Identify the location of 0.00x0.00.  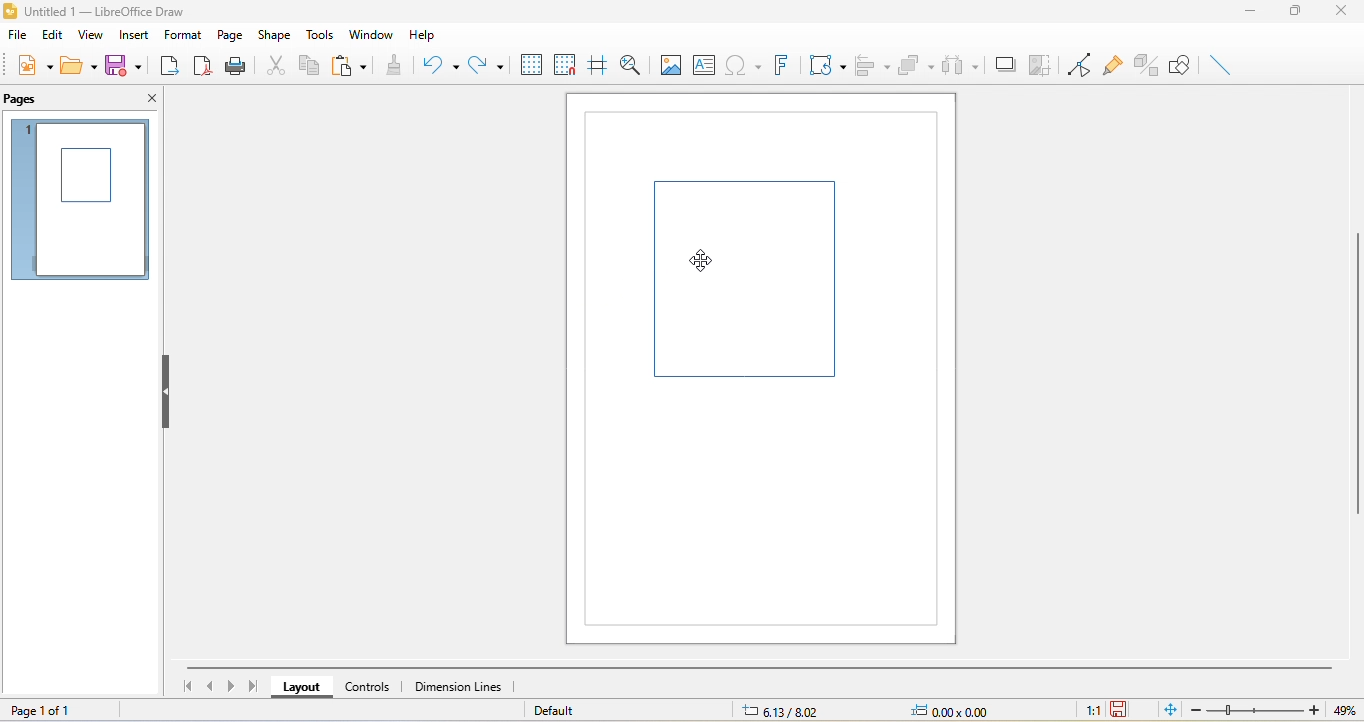
(950, 710).